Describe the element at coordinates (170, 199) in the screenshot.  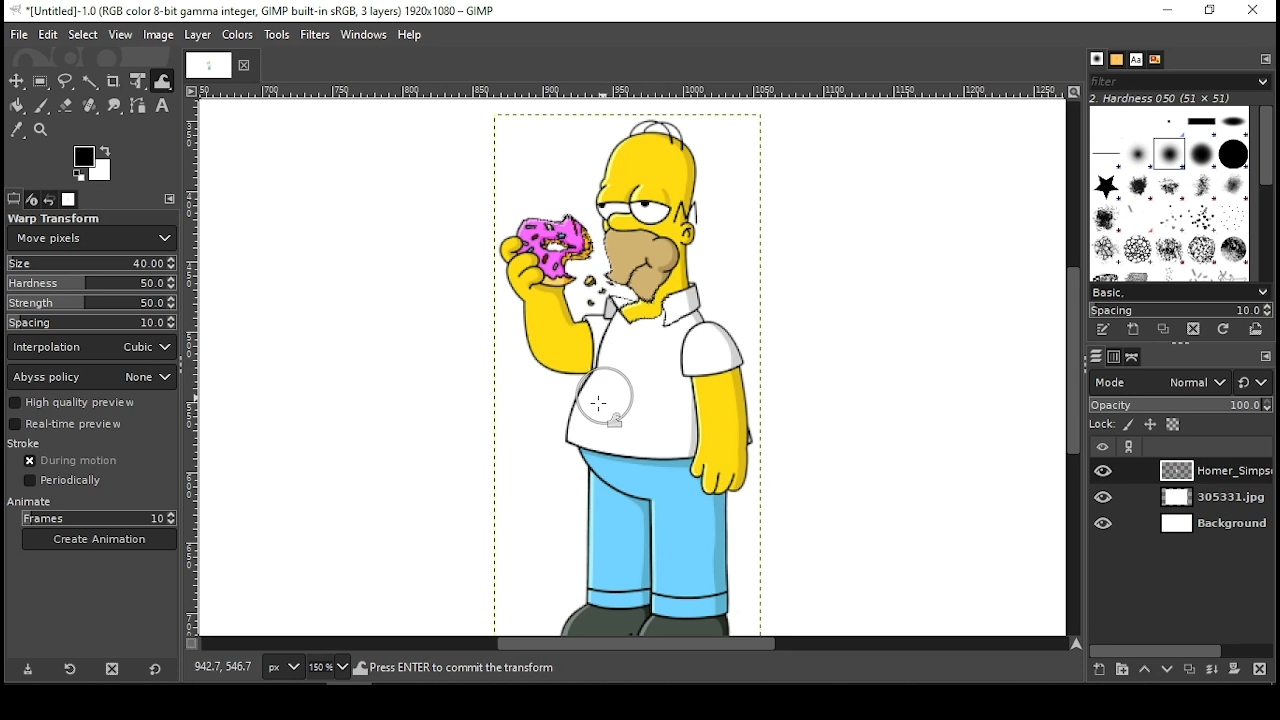
I see `edit toolbar` at that location.